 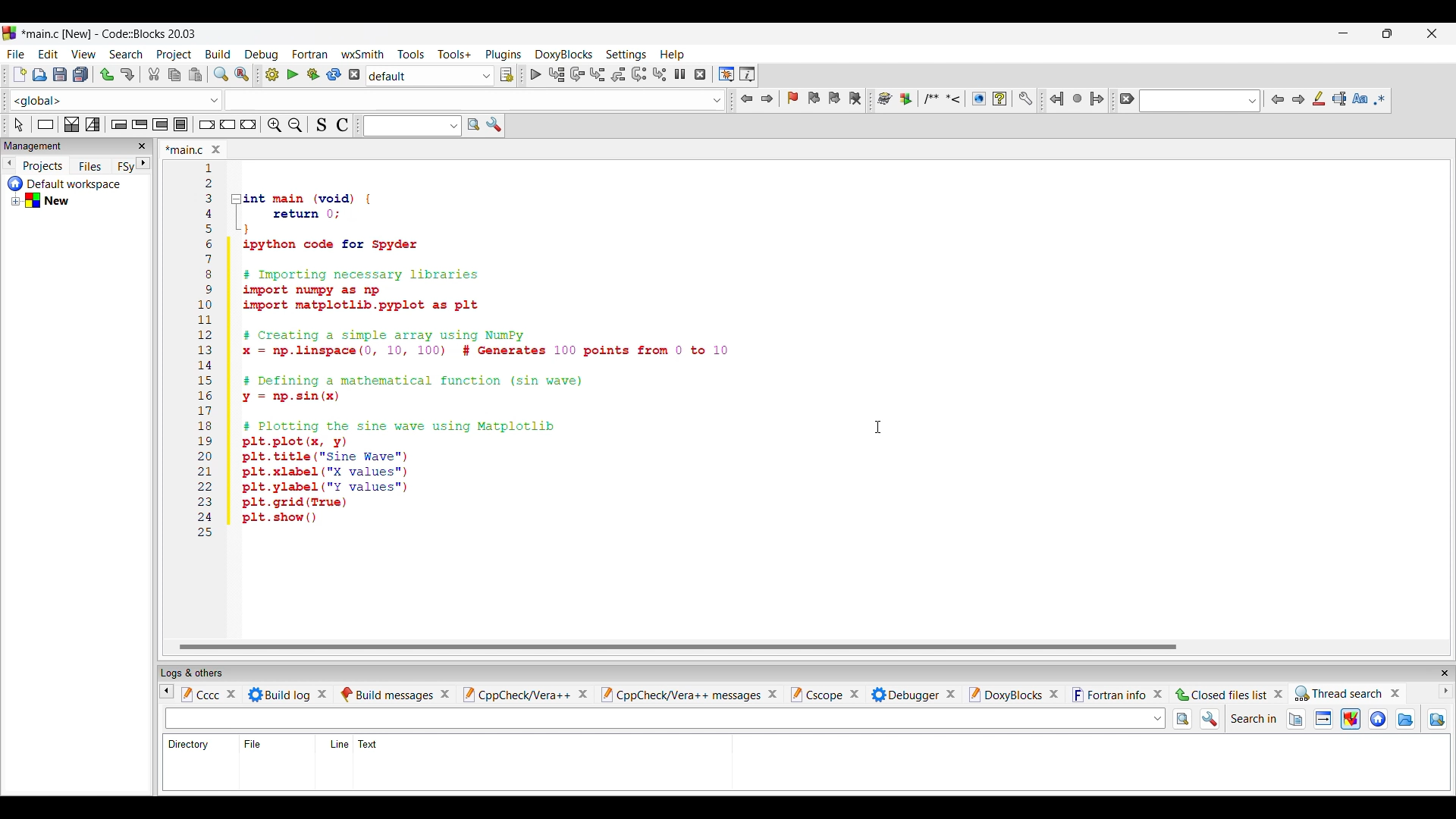 I want to click on Zoom out, so click(x=295, y=122).